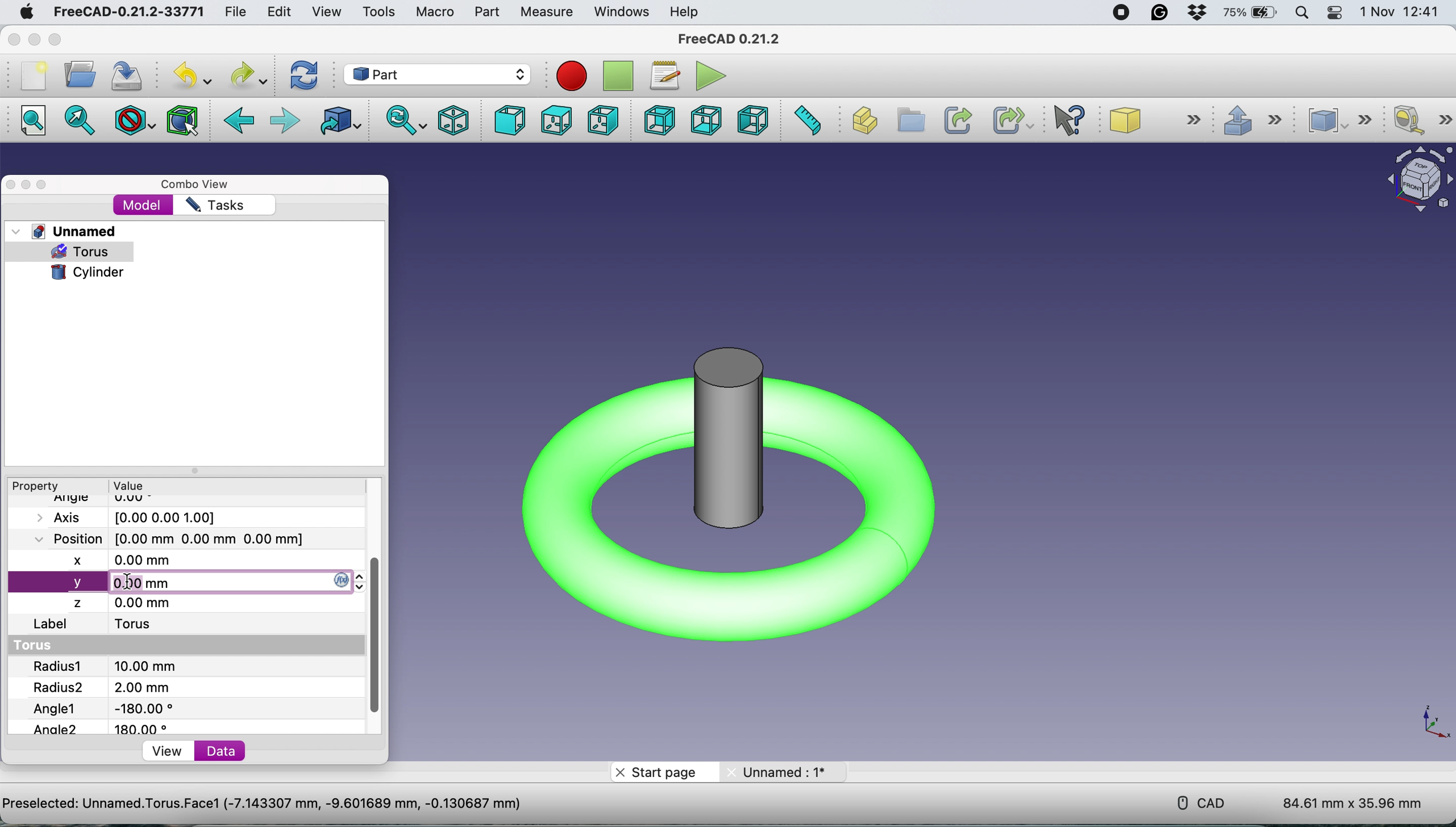 The image size is (1456, 827). I want to click on foward, so click(287, 119).